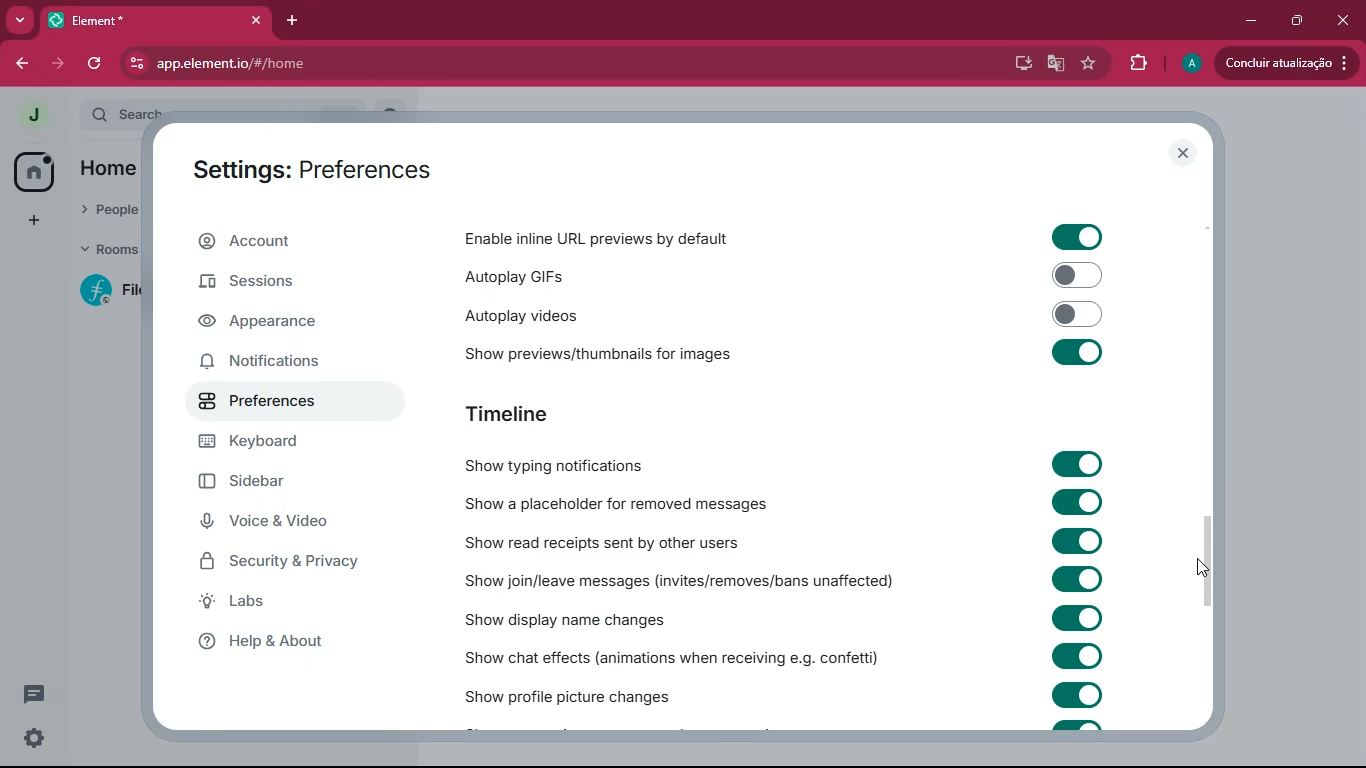 Image resolution: width=1366 pixels, height=768 pixels. What do you see at coordinates (266, 399) in the screenshot?
I see `preferences` at bounding box center [266, 399].